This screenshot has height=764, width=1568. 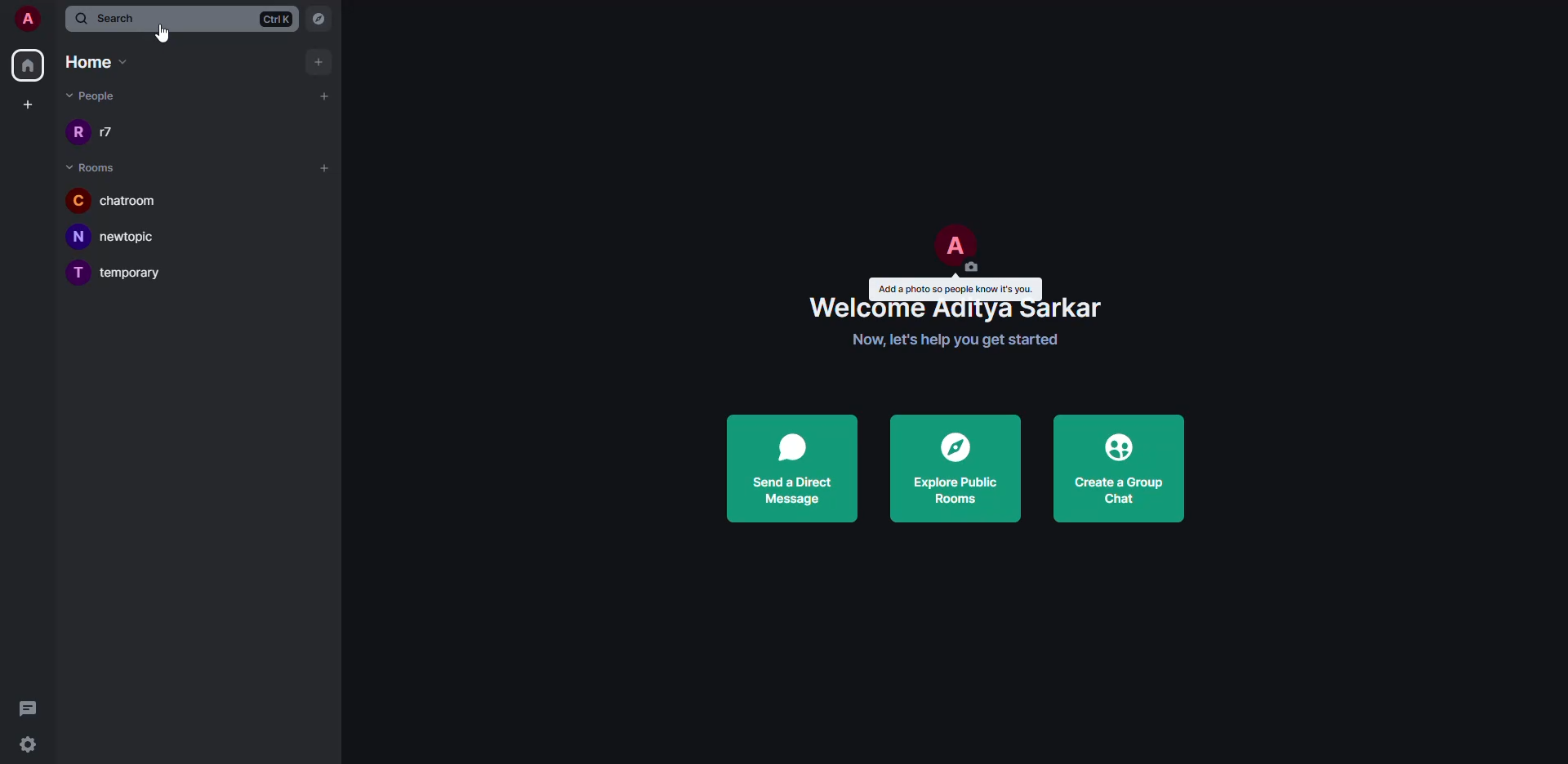 What do you see at coordinates (327, 169) in the screenshot?
I see `add` at bounding box center [327, 169].